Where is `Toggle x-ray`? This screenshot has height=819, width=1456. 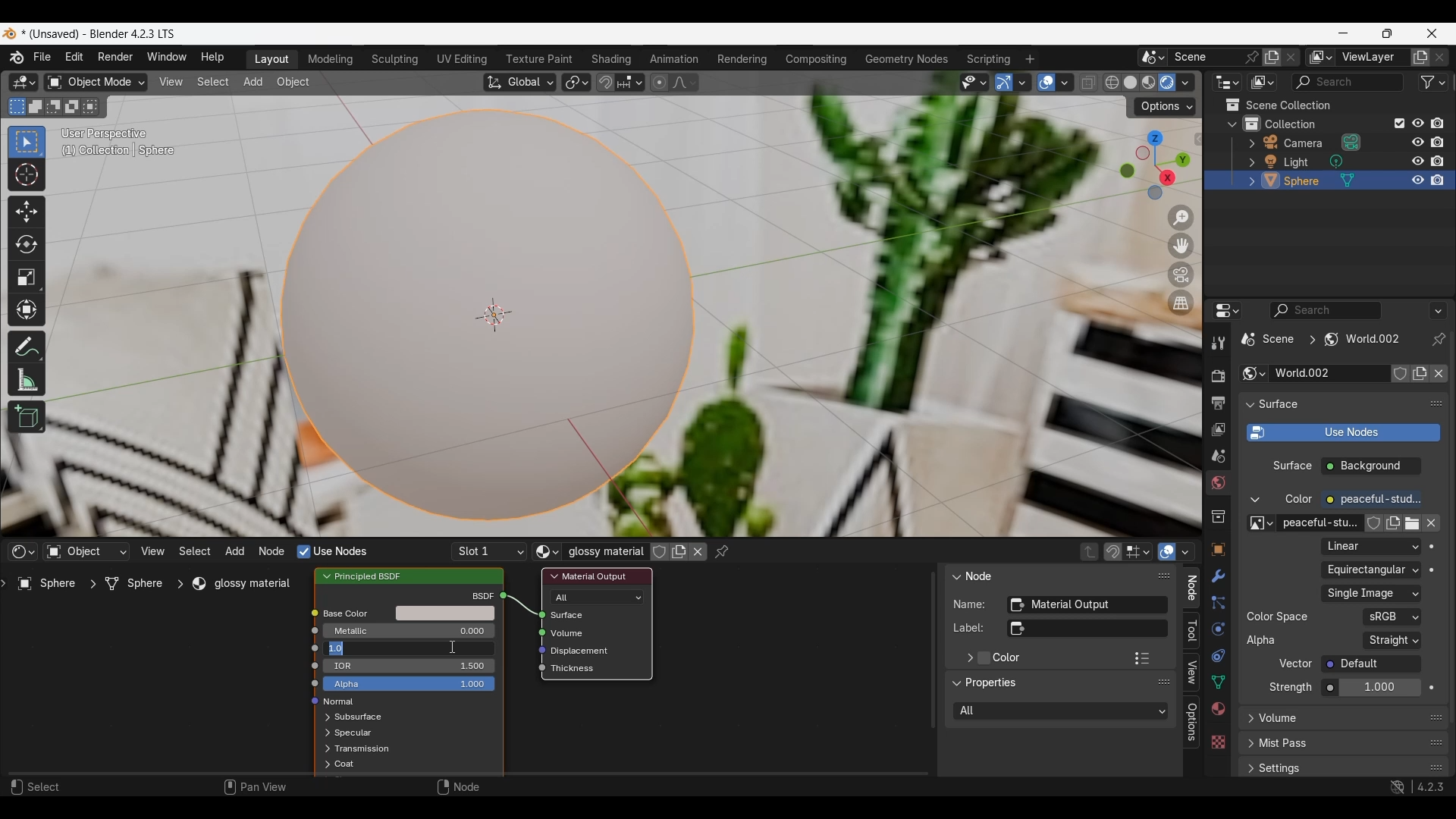
Toggle x-ray is located at coordinates (1089, 82).